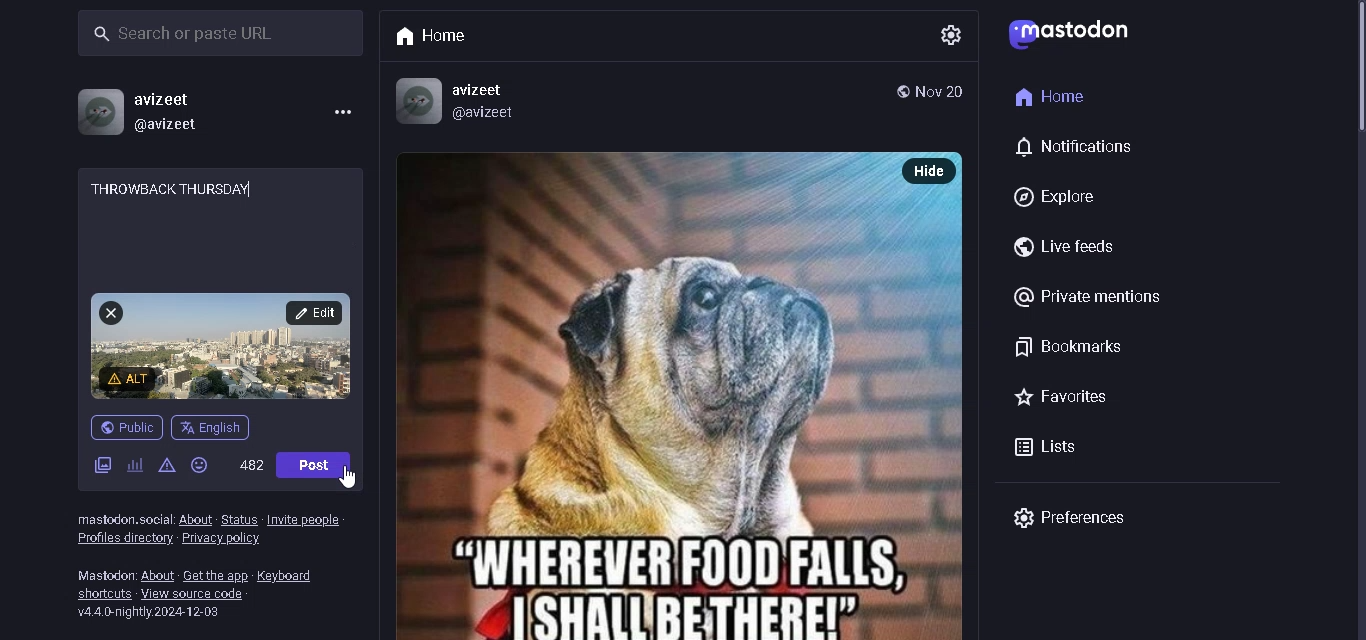 The height and width of the screenshot is (640, 1366). I want to click on add content warning, so click(131, 379).